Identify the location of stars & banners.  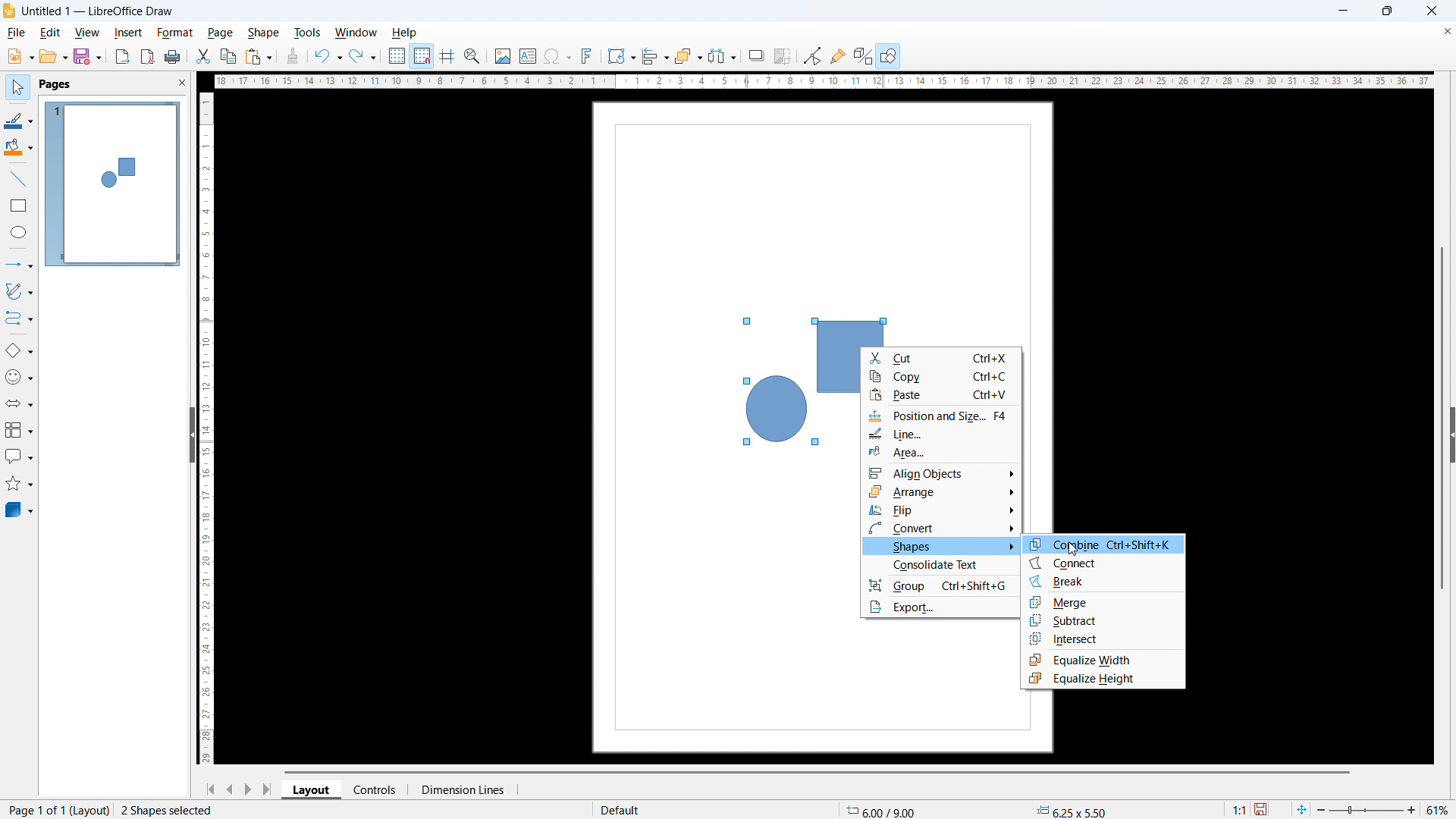
(20, 485).